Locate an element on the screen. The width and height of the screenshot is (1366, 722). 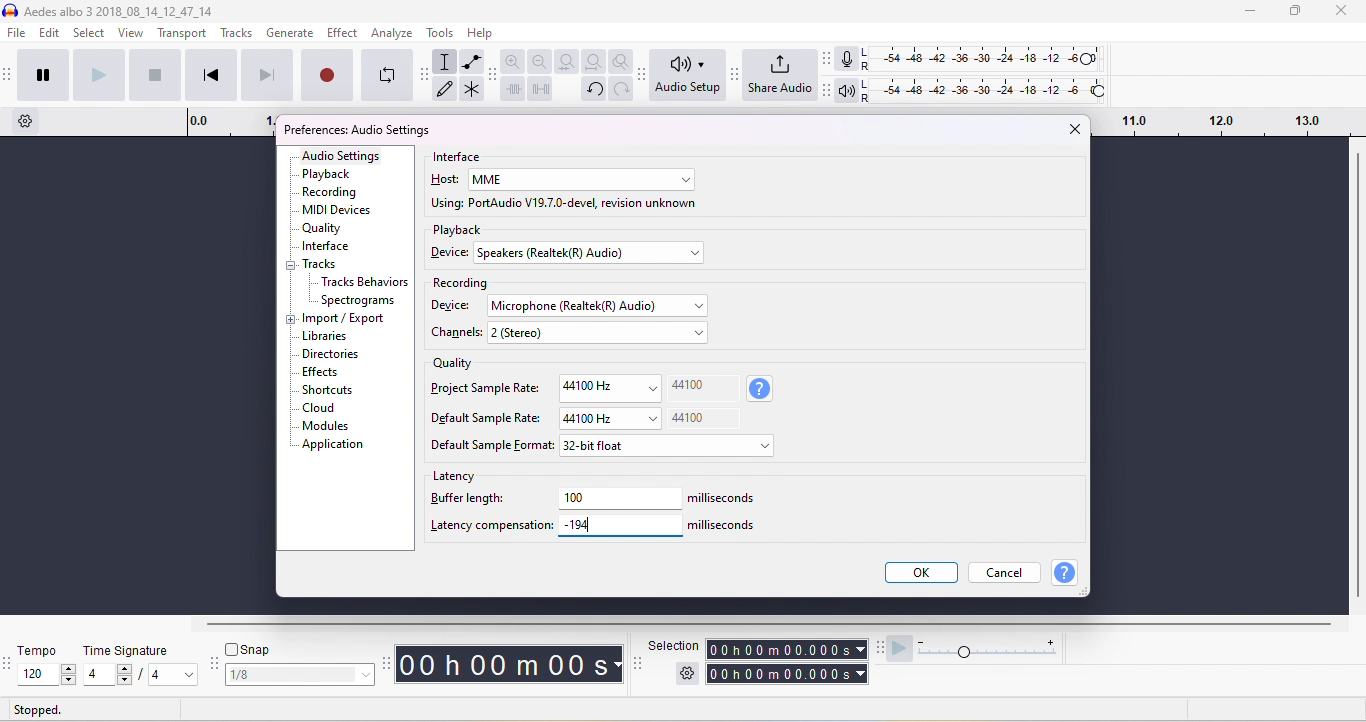
playback speed is located at coordinates (992, 649).